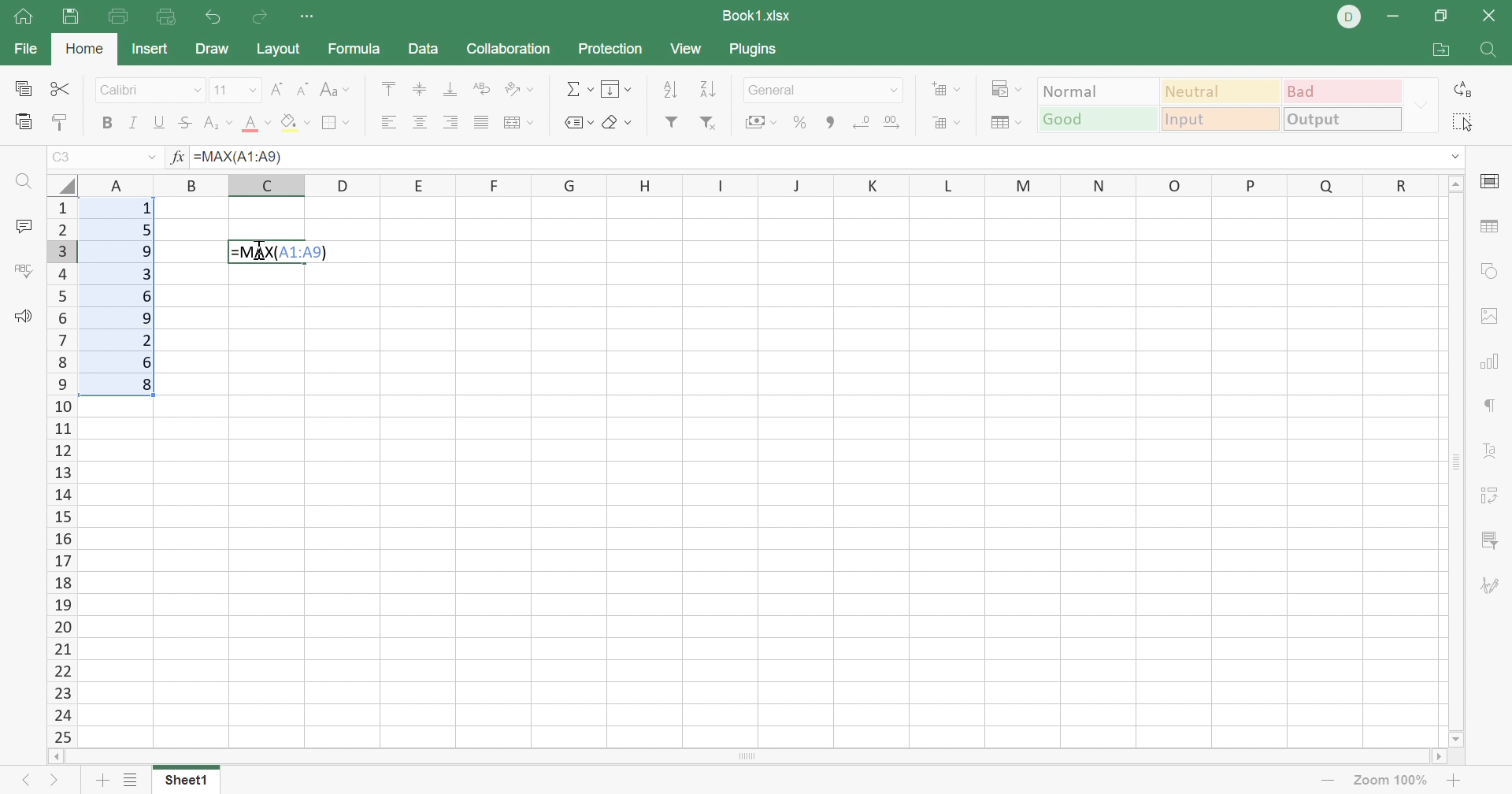 Image resolution: width=1512 pixels, height=794 pixels. I want to click on Align Top, so click(389, 92).